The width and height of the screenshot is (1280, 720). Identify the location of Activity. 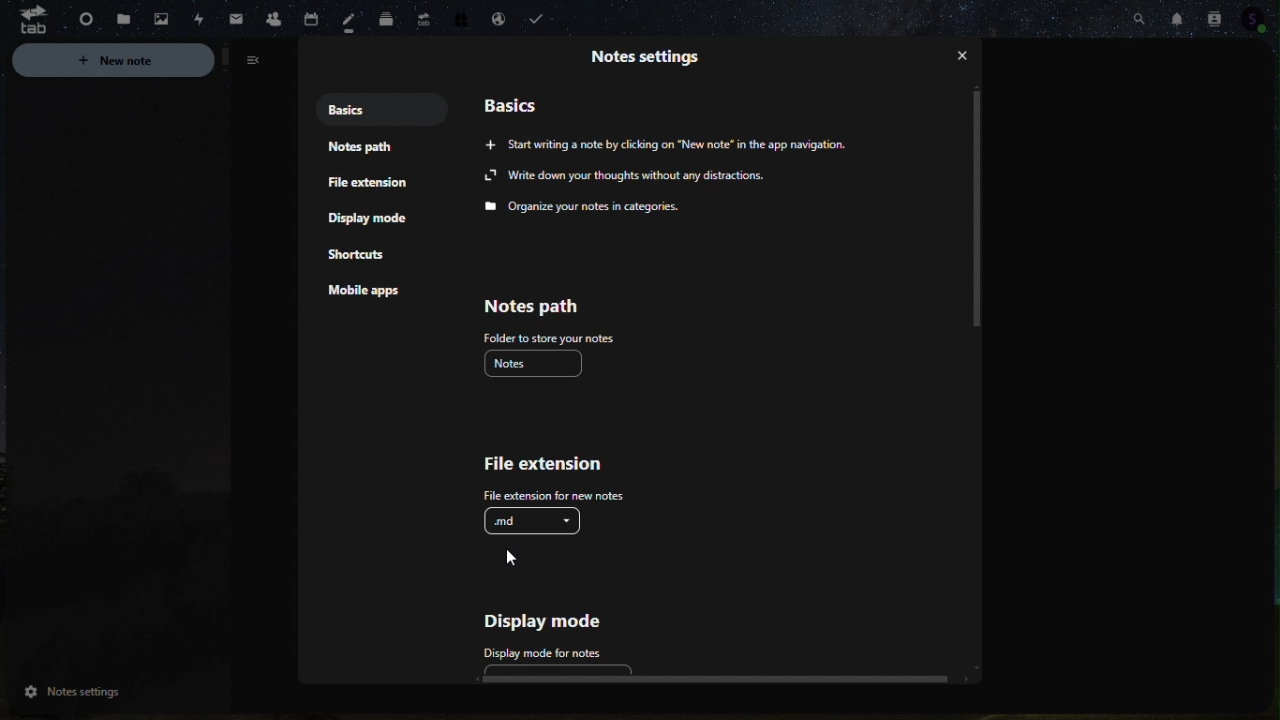
(192, 18).